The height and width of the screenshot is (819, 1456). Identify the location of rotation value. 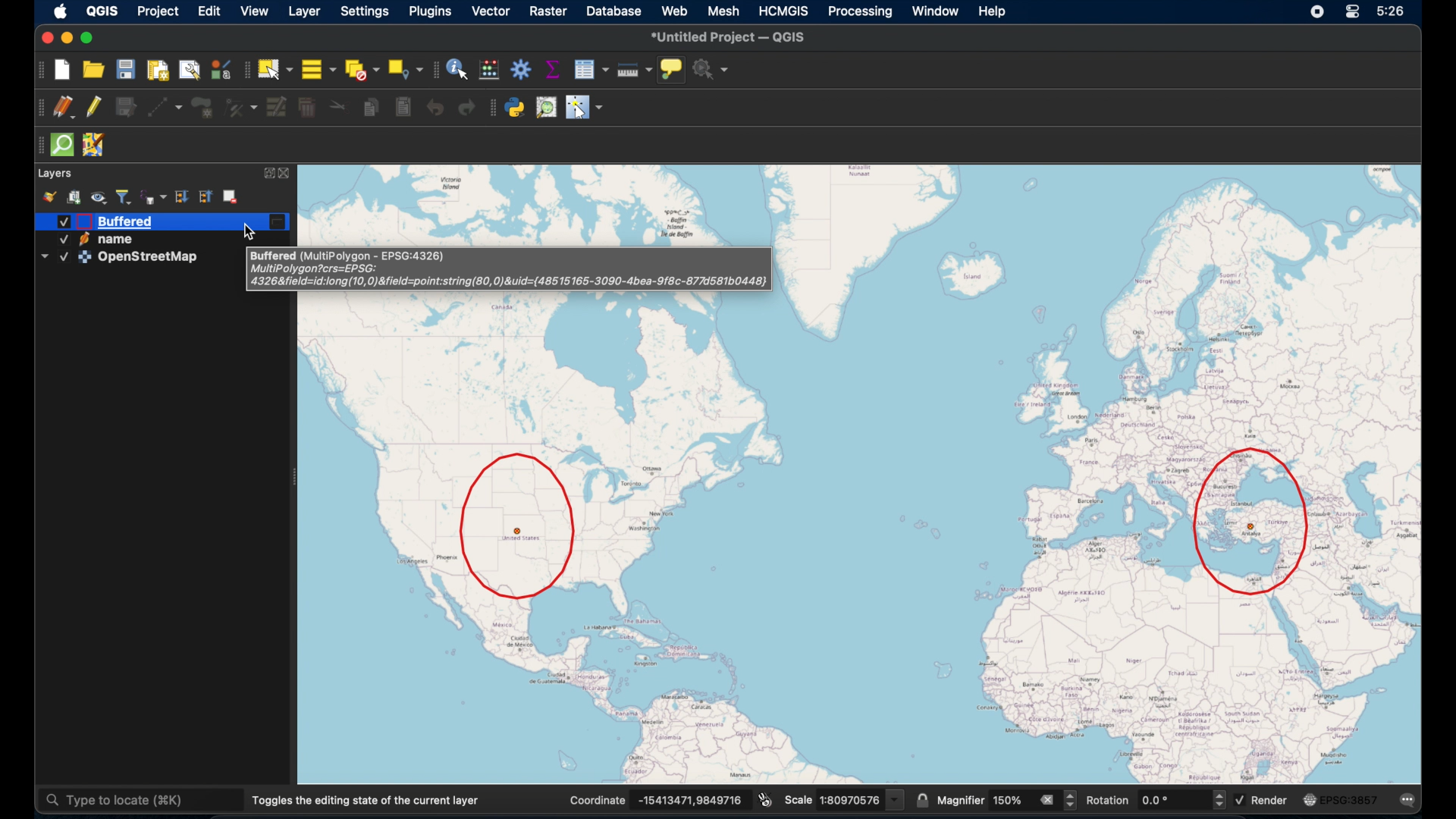
(1173, 800).